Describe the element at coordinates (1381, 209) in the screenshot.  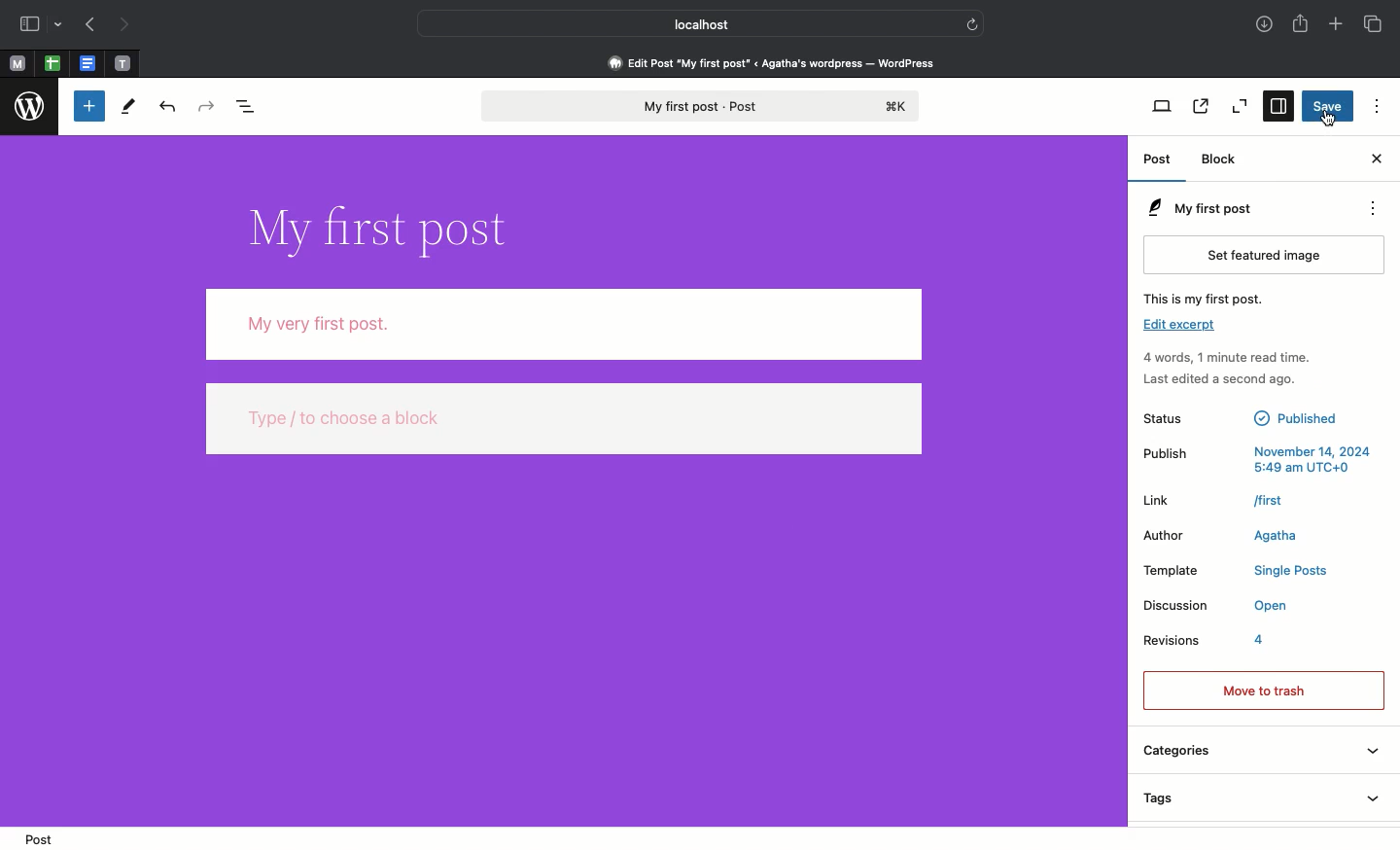
I see `Actions` at that location.